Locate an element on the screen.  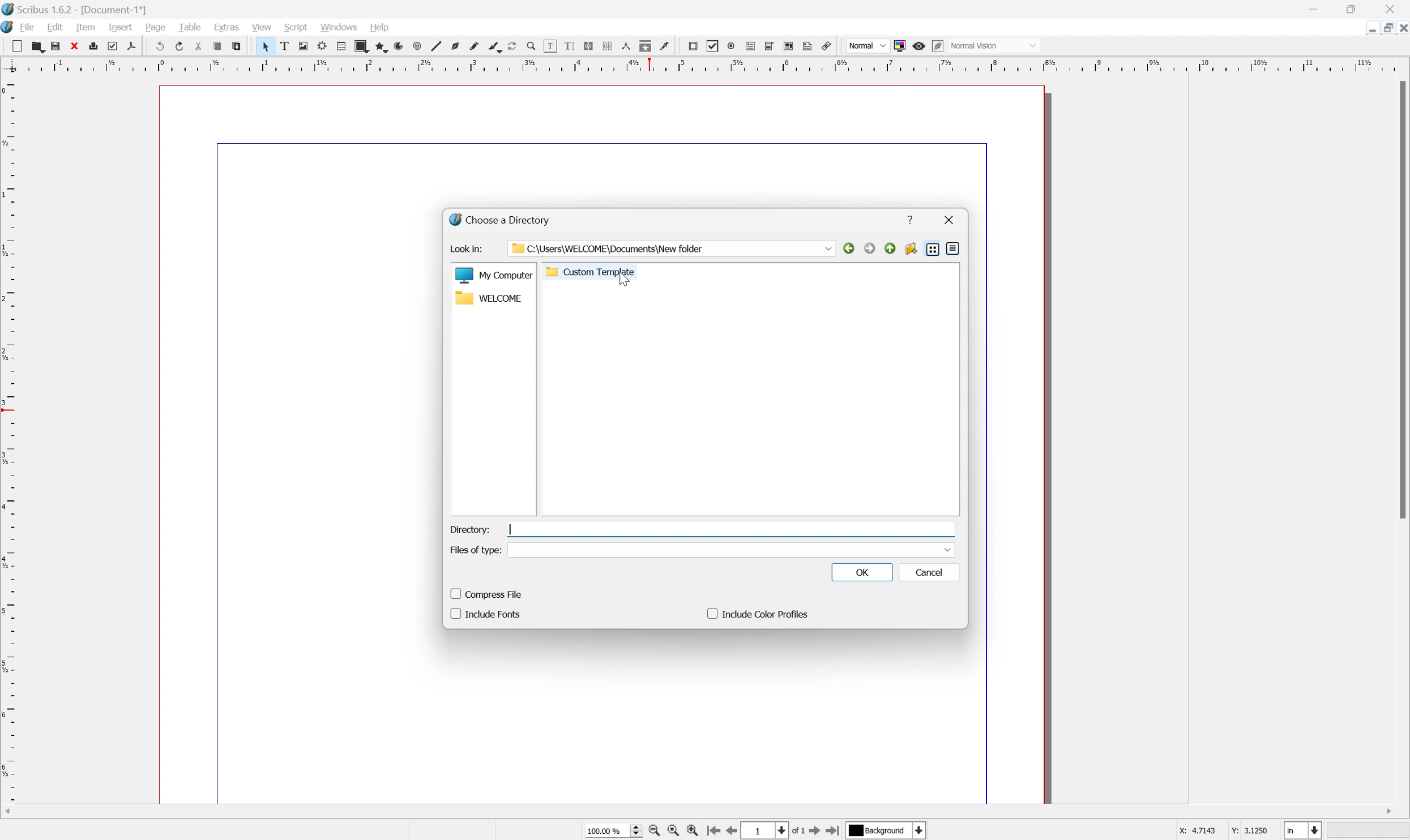
Go to first page is located at coordinates (715, 830).